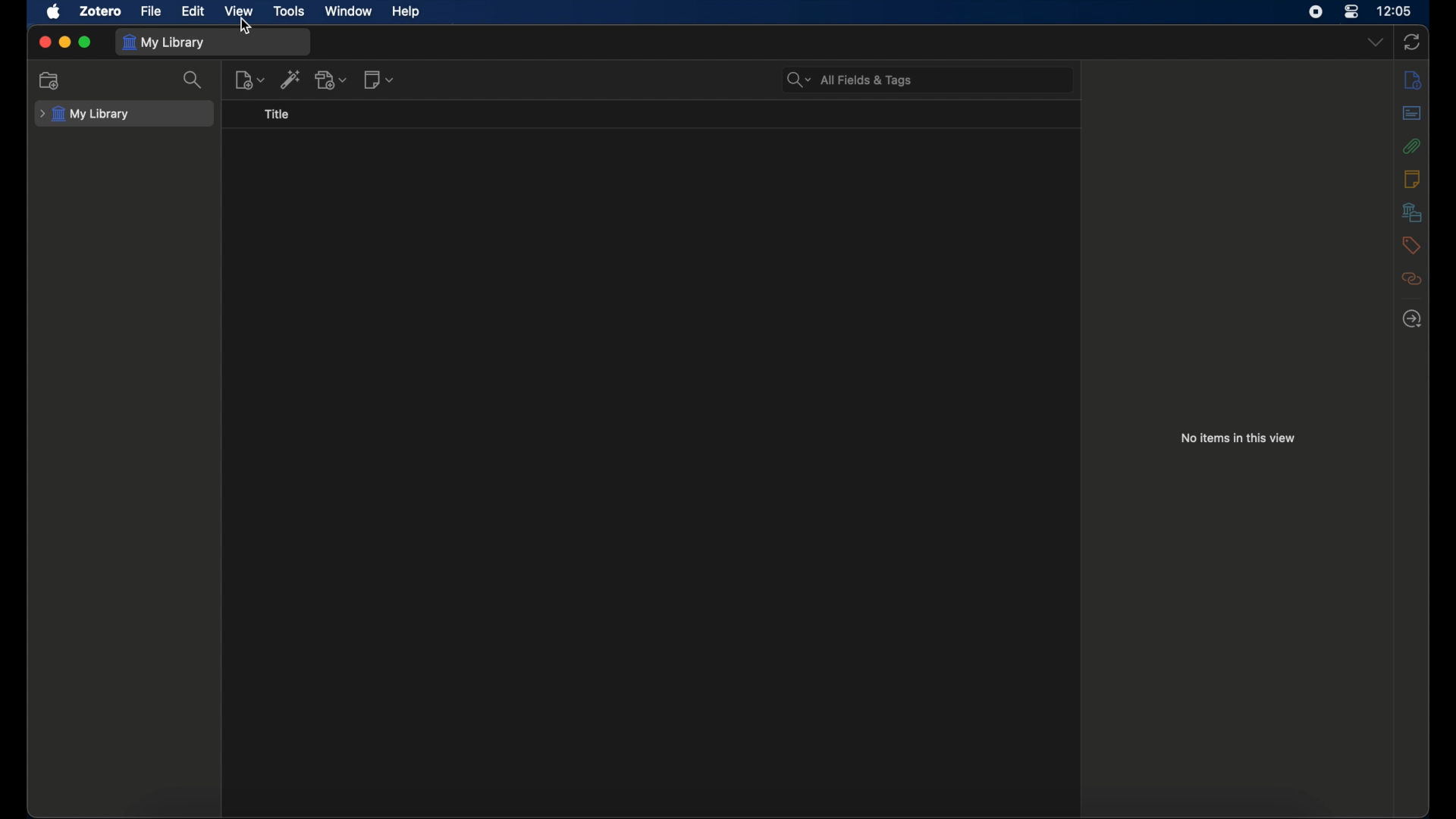 The height and width of the screenshot is (819, 1456). I want to click on my library, so click(164, 42).